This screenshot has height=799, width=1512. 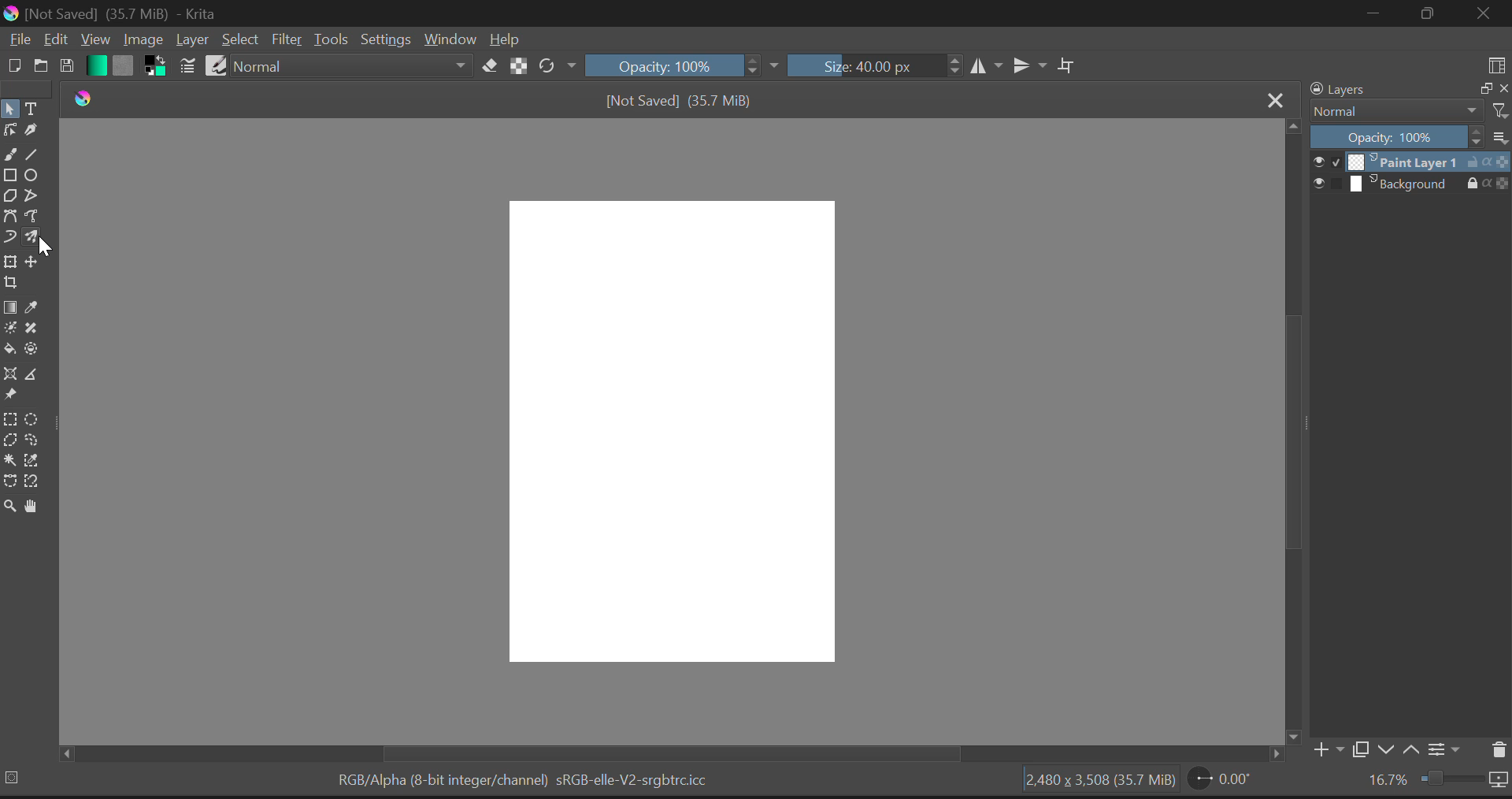 What do you see at coordinates (1336, 90) in the screenshot?
I see `Layers` at bounding box center [1336, 90].